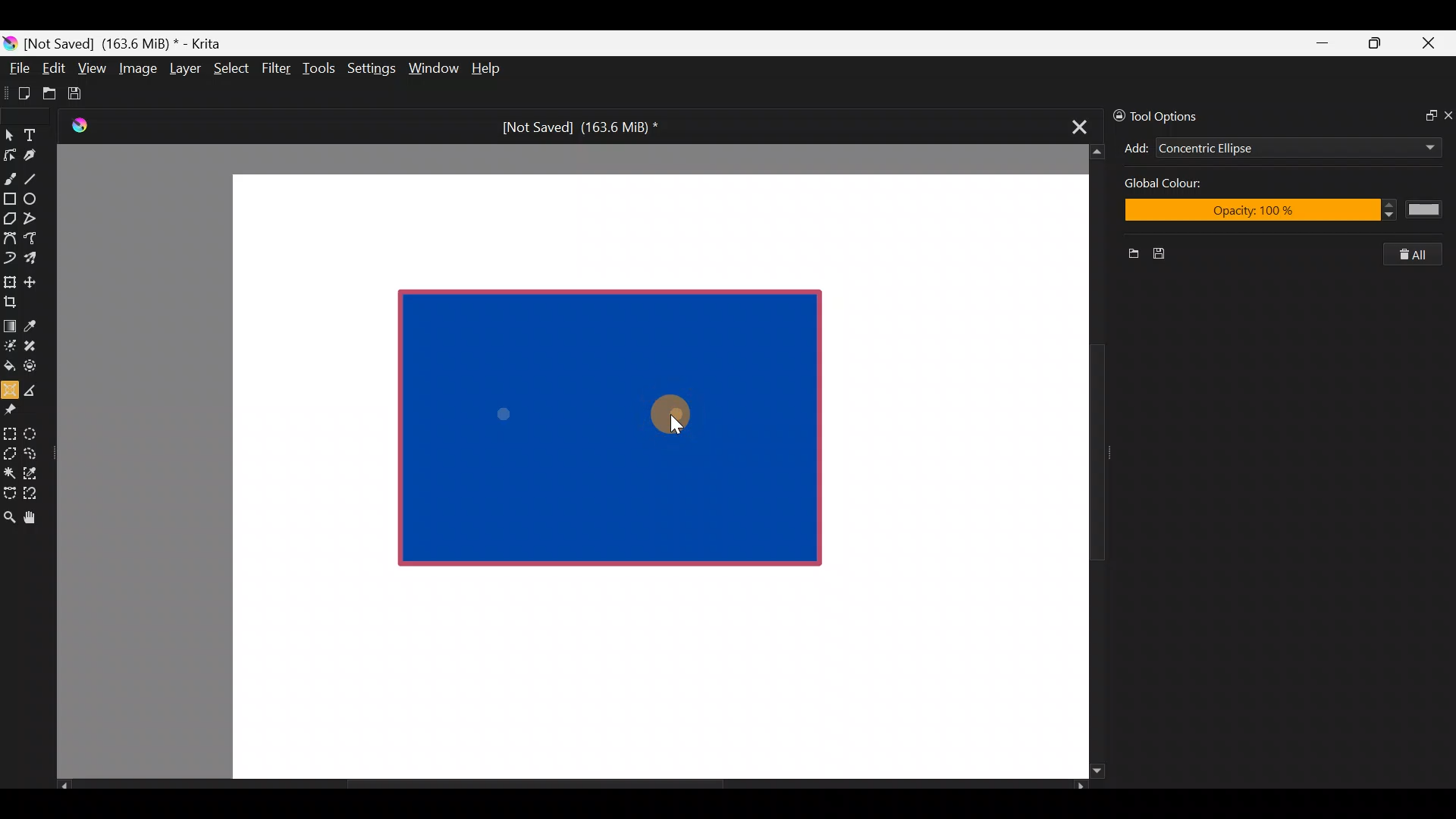 The image size is (1456, 819). What do you see at coordinates (1134, 146) in the screenshot?
I see `Add concentric ellipse` at bounding box center [1134, 146].